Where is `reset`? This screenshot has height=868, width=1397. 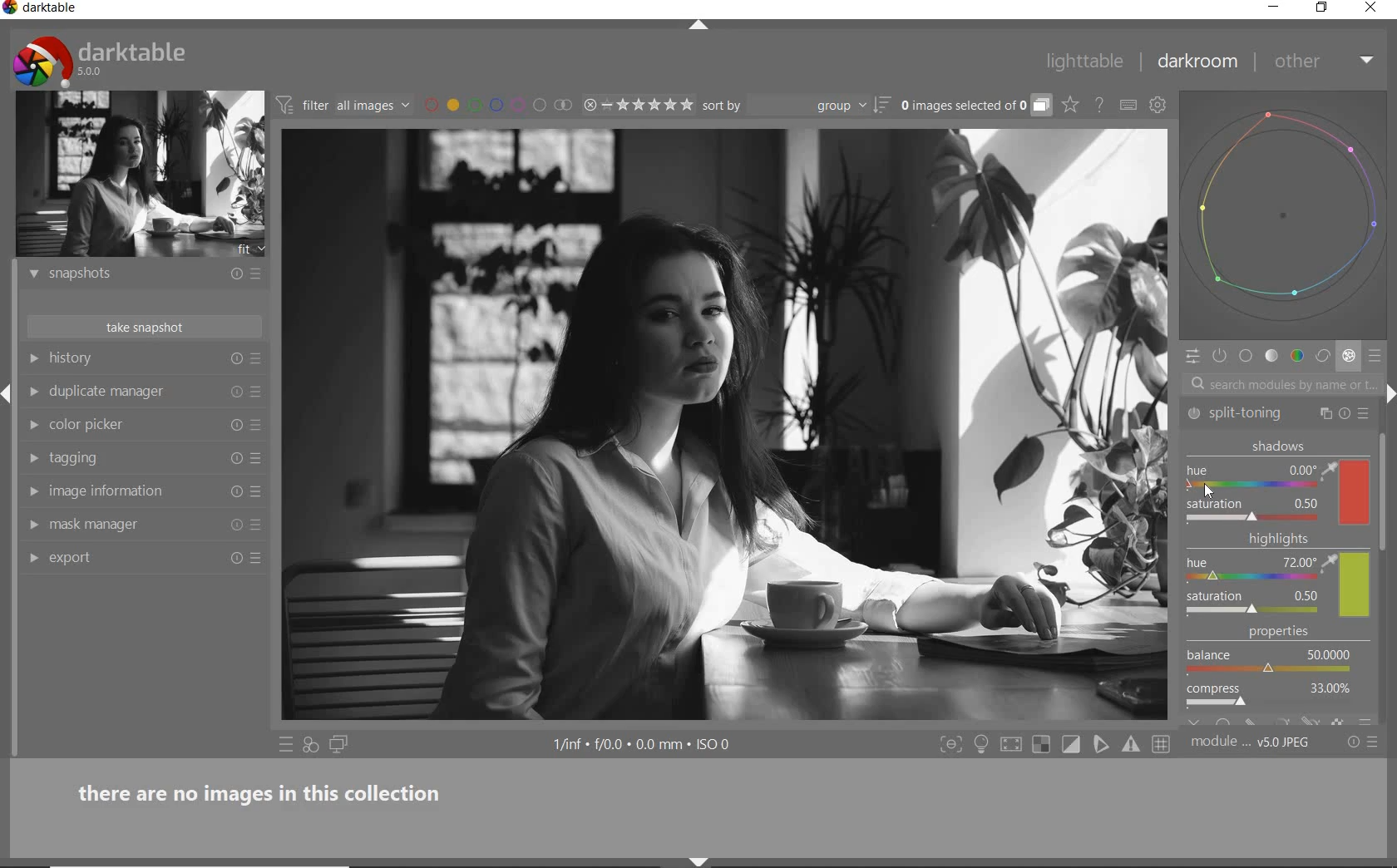 reset is located at coordinates (1345, 414).